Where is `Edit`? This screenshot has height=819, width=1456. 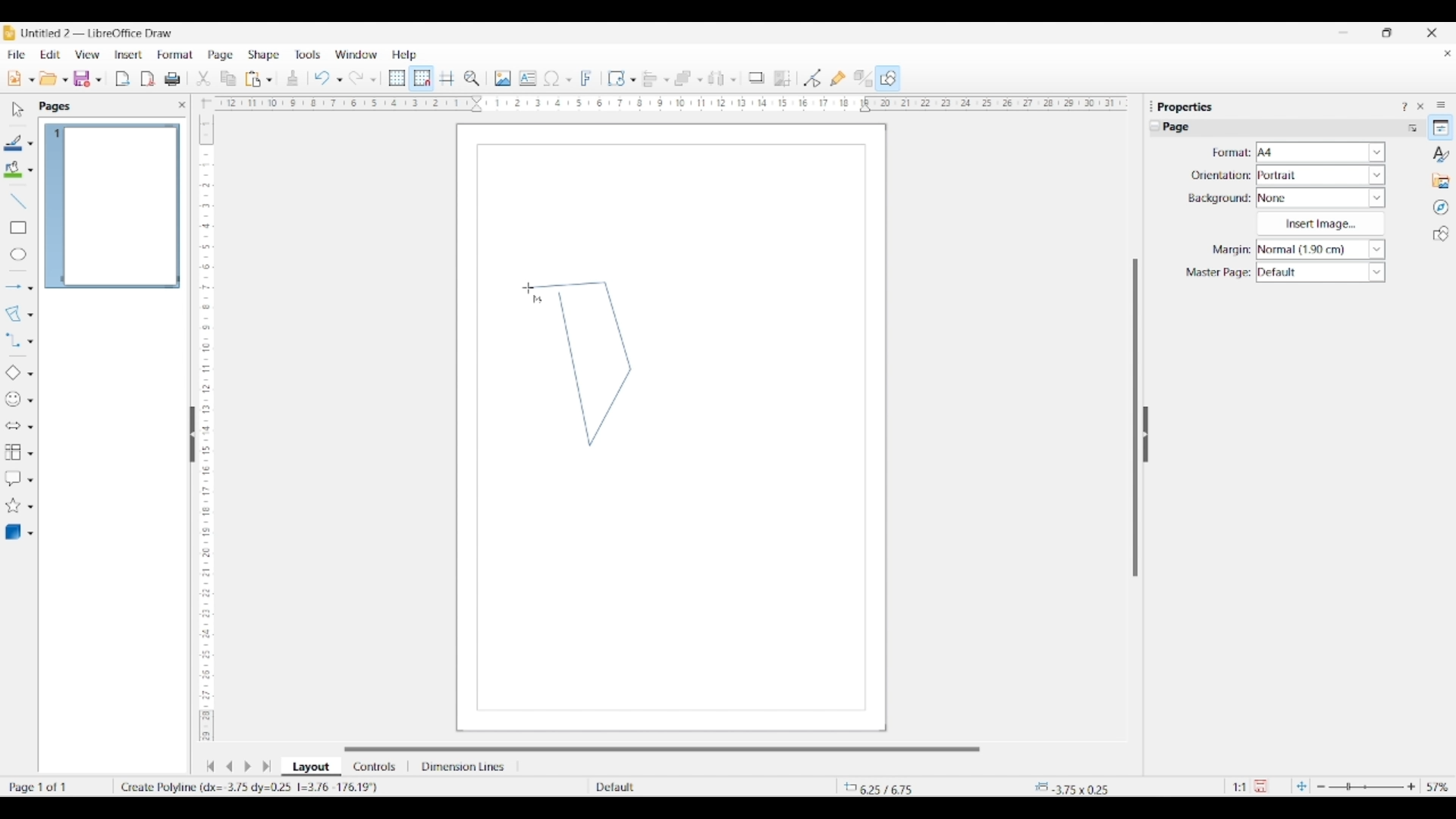 Edit is located at coordinates (50, 55).